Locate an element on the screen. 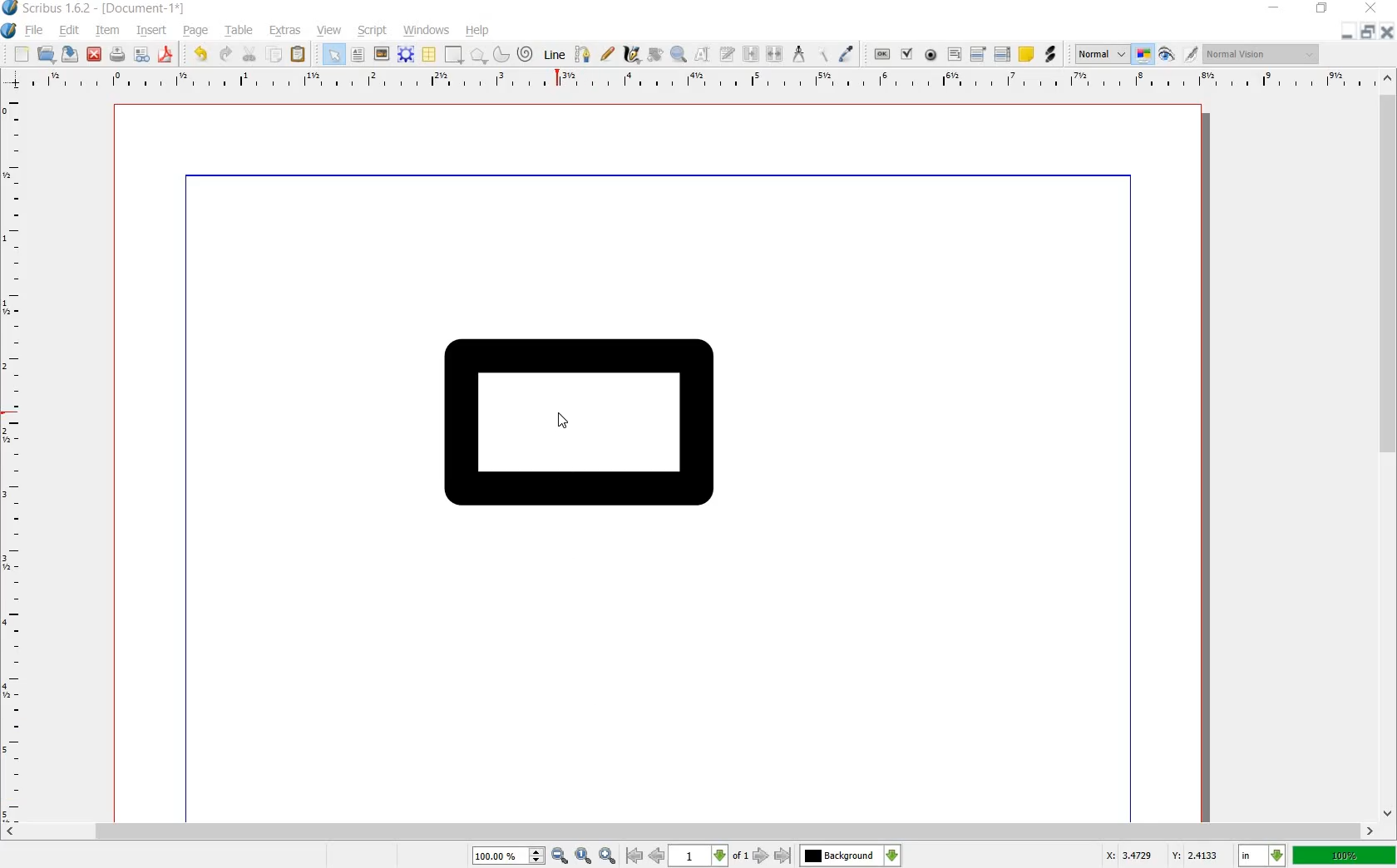  script is located at coordinates (371, 29).